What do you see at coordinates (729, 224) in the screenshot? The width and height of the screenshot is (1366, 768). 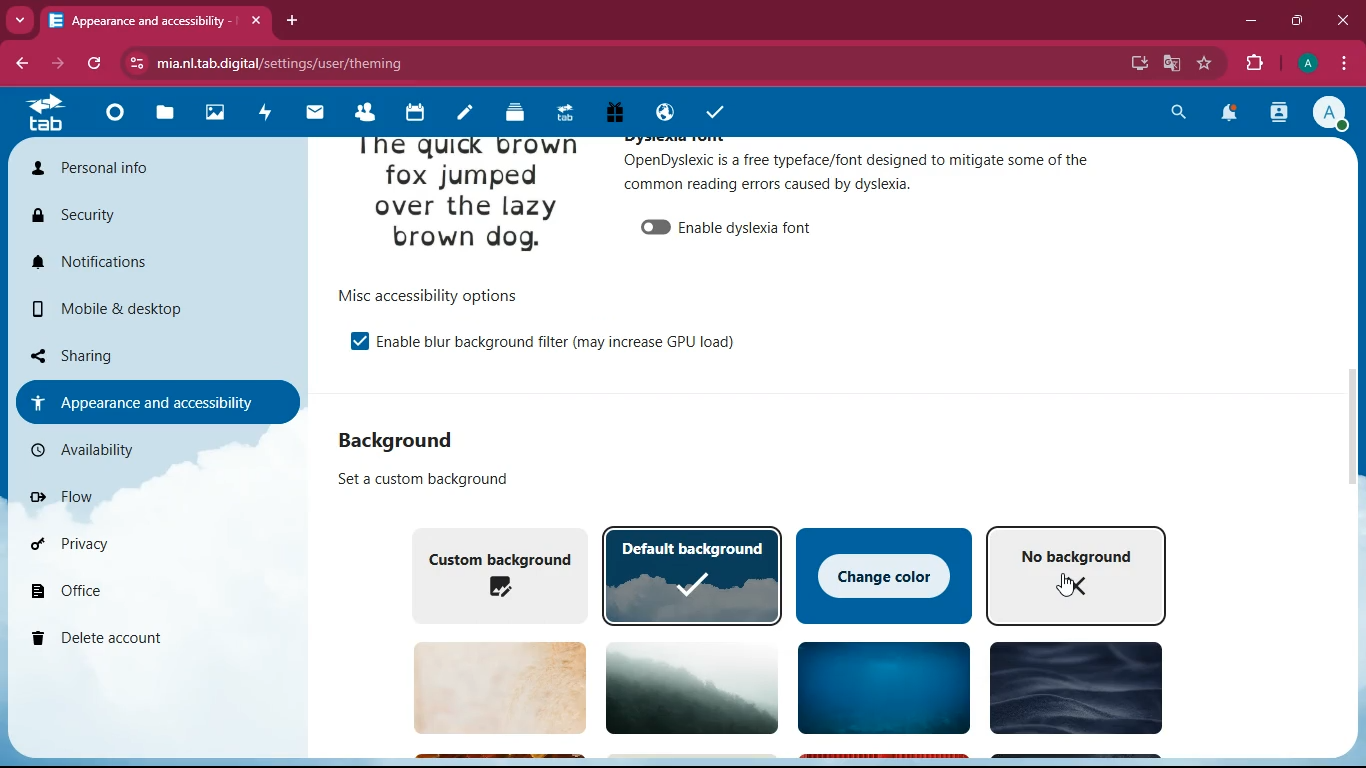 I see `enable` at bounding box center [729, 224].